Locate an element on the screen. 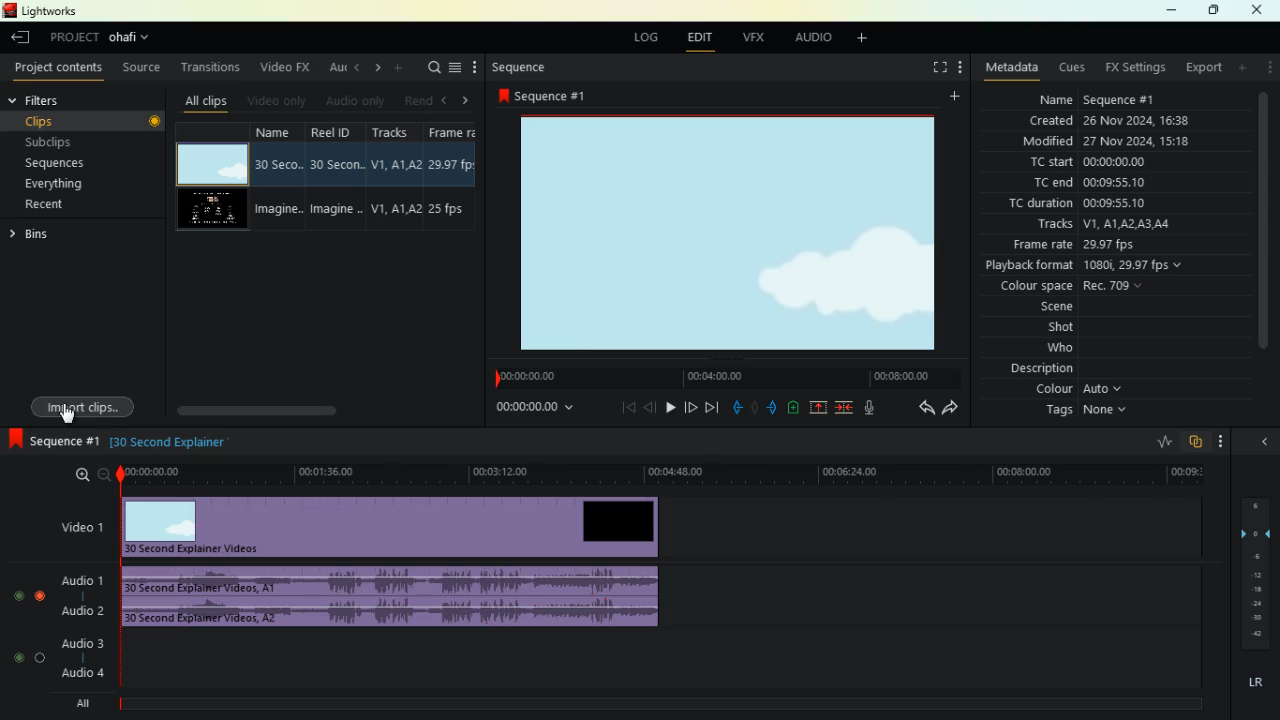  colour auto is located at coordinates (1082, 389).